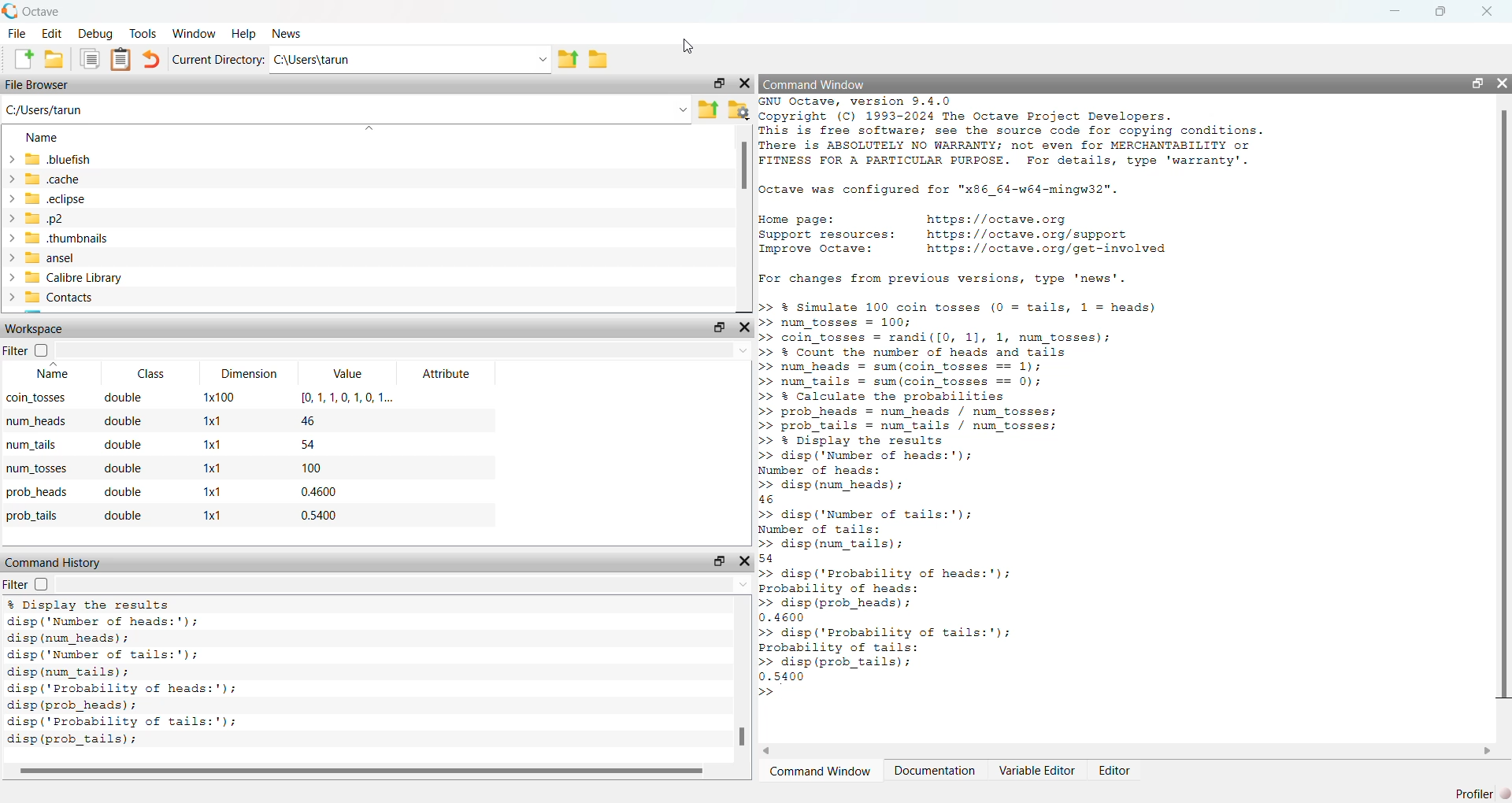 The width and height of the screenshot is (1512, 803). What do you see at coordinates (10, 10) in the screenshot?
I see `logo` at bounding box center [10, 10].